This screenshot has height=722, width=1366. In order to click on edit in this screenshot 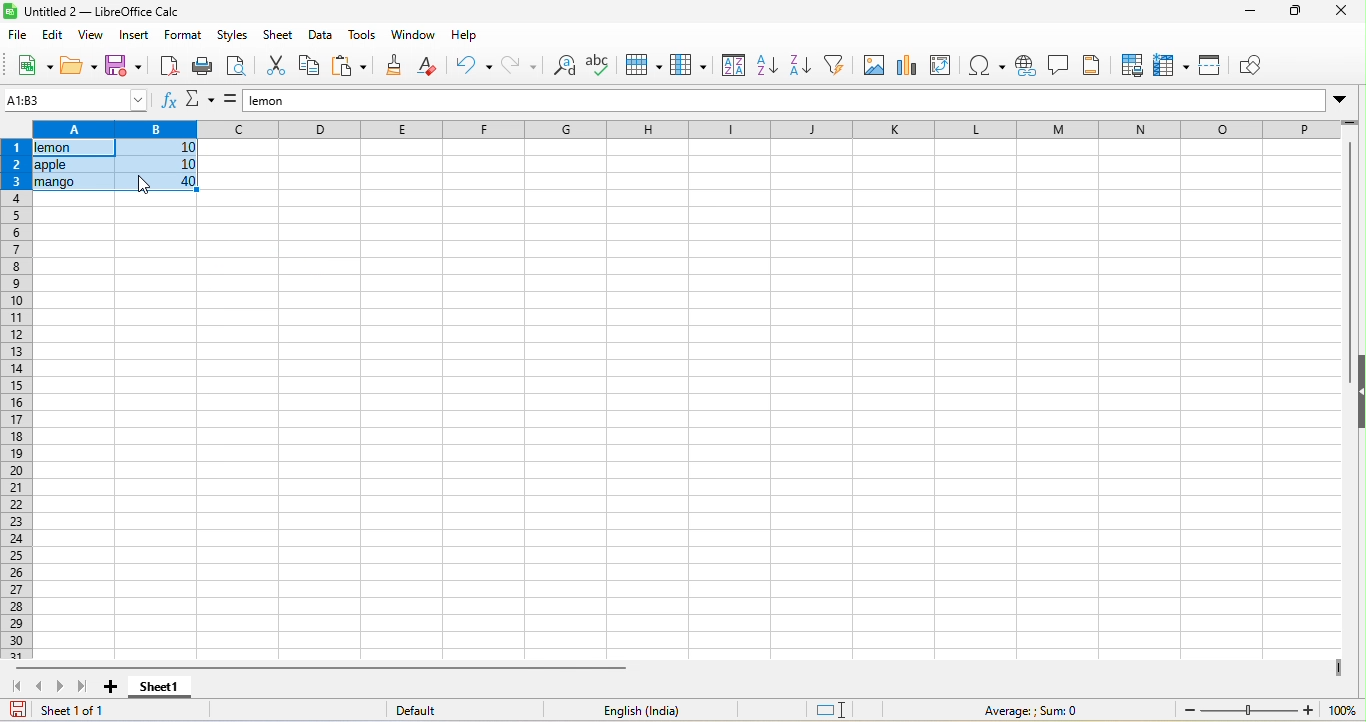, I will do `click(52, 37)`.